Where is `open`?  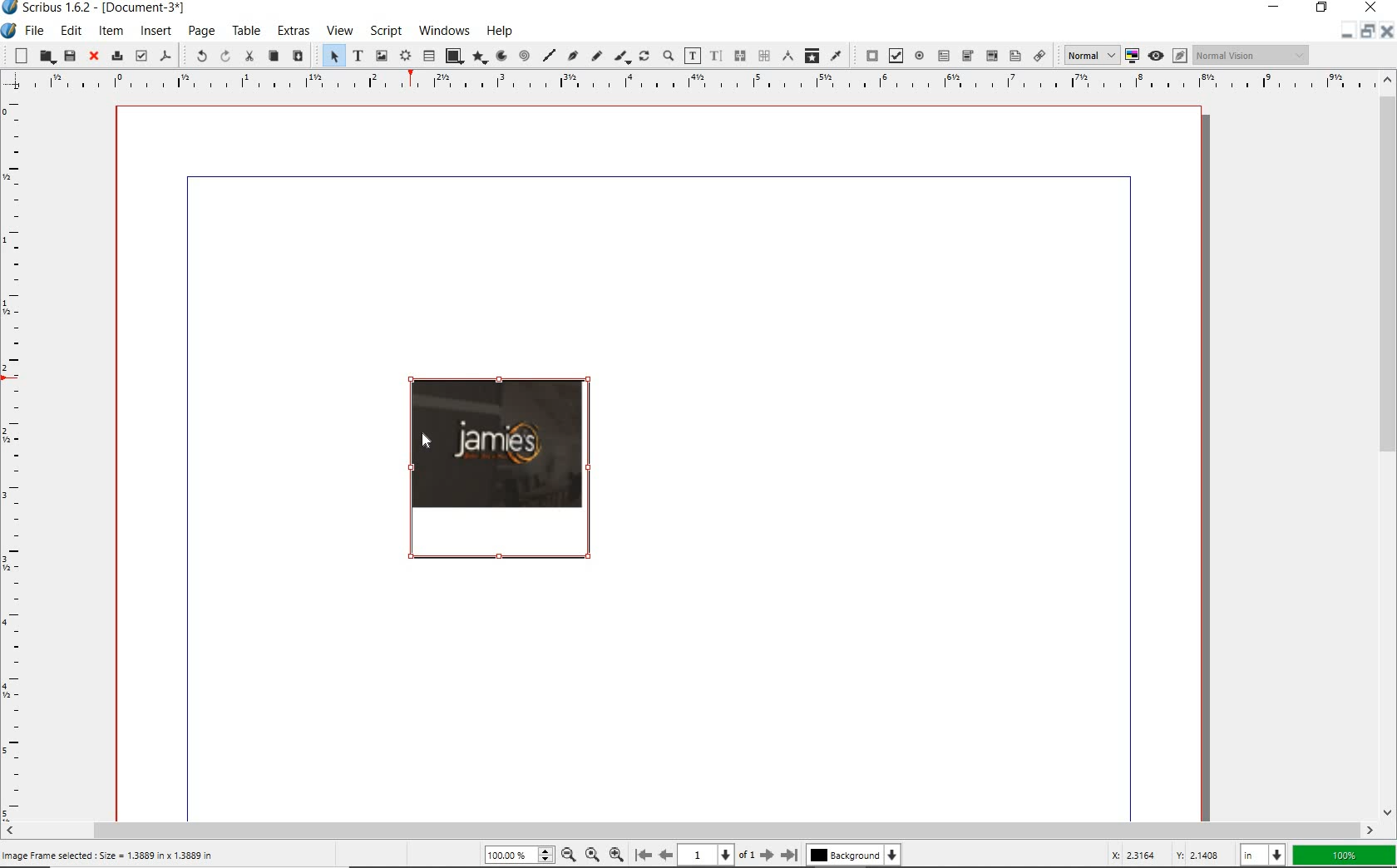
open is located at coordinates (47, 57).